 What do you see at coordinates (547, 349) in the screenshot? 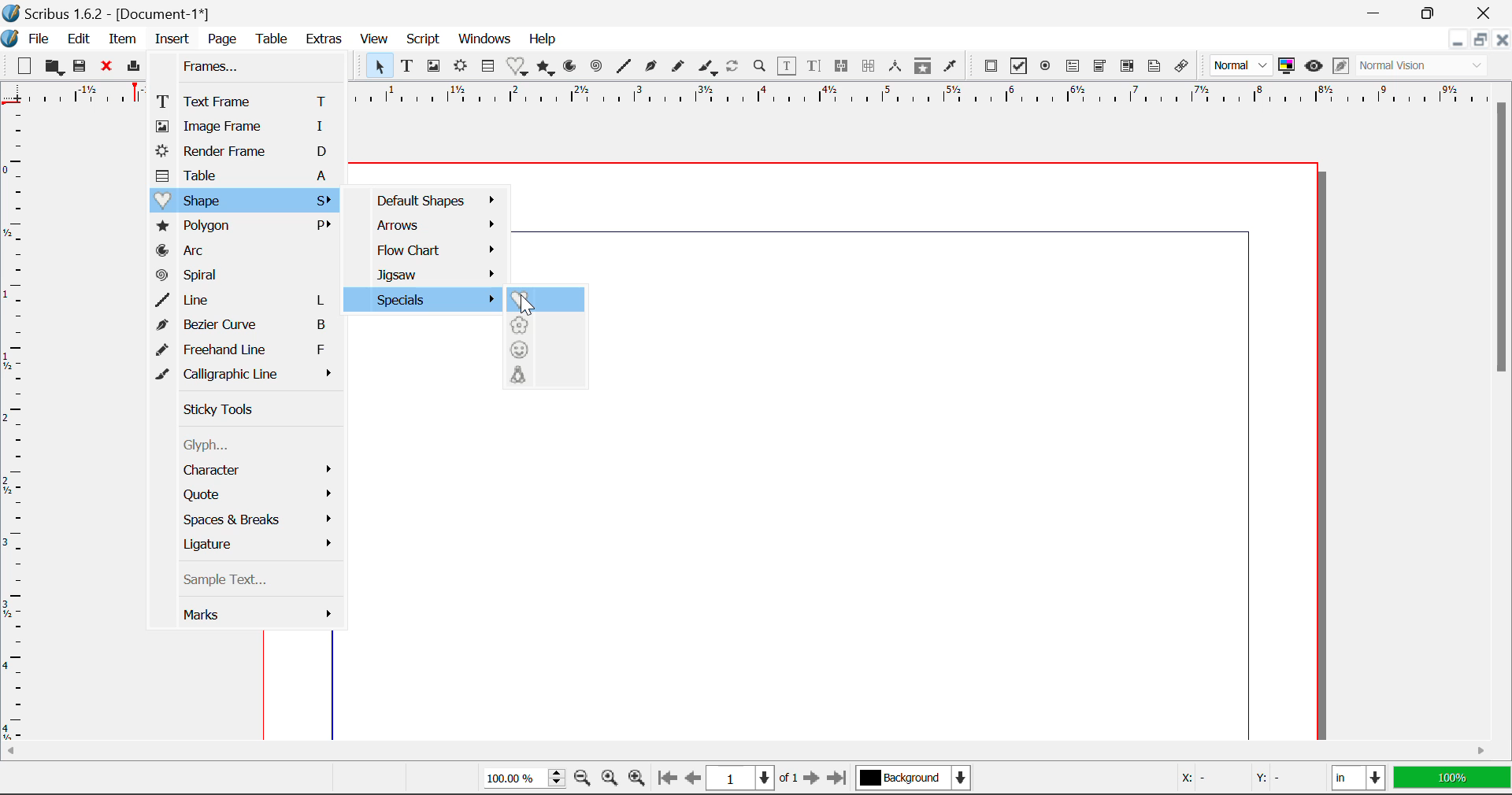
I see `Smiley ` at bounding box center [547, 349].